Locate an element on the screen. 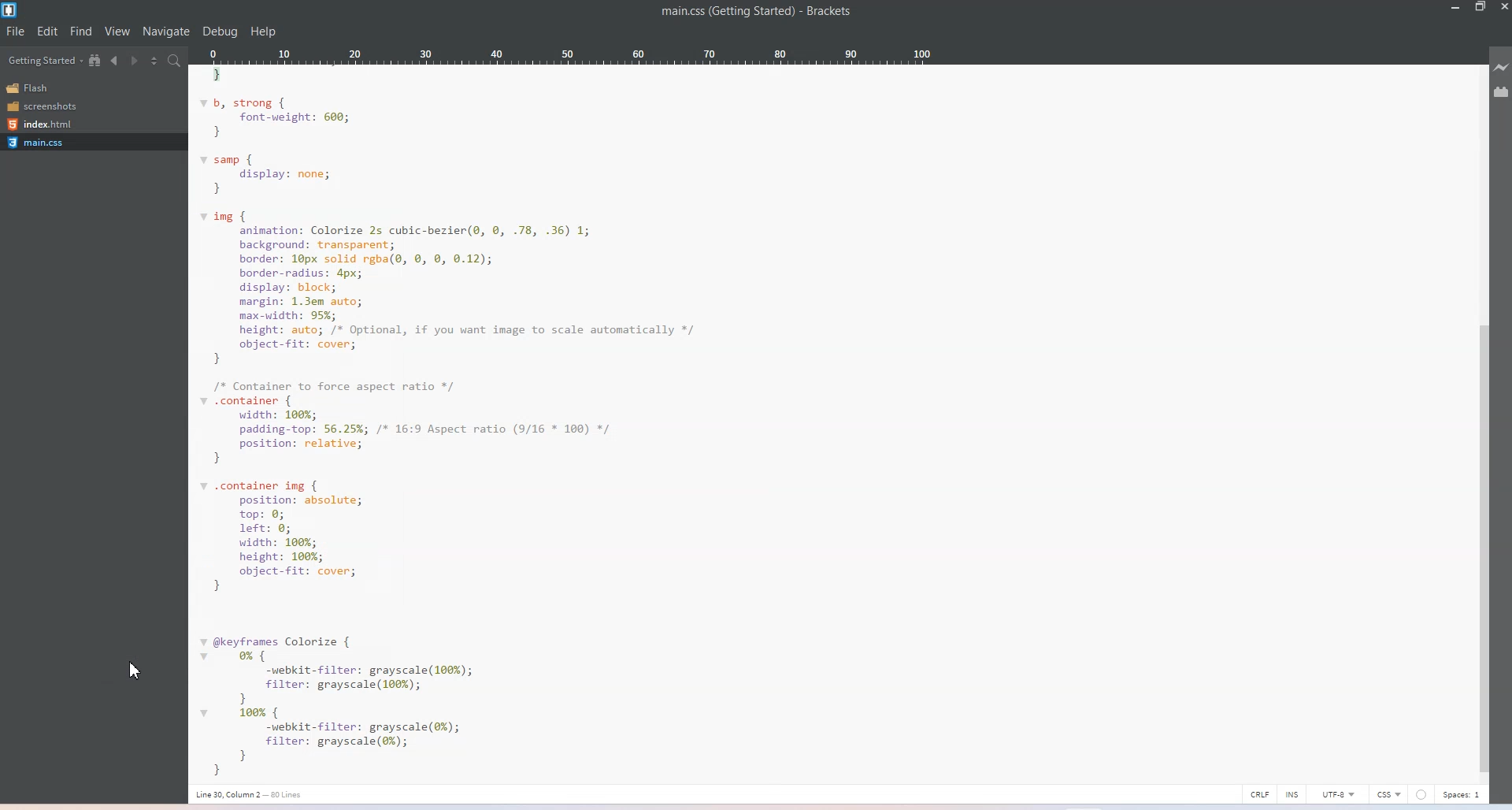 The height and width of the screenshot is (810, 1512). No linter available is located at coordinates (1424, 795).